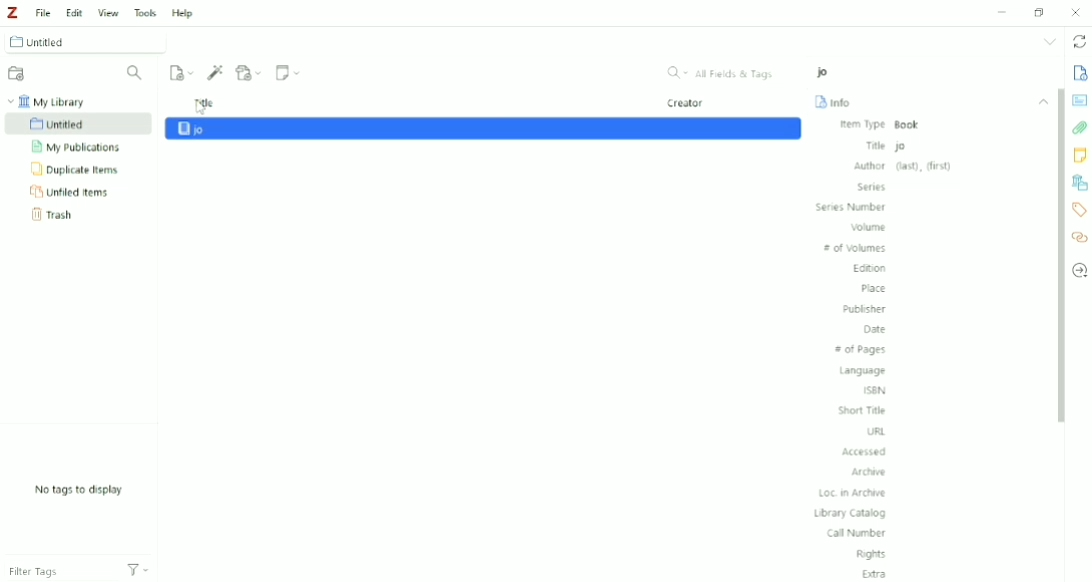 The image size is (1092, 582). What do you see at coordinates (1080, 73) in the screenshot?
I see `Info` at bounding box center [1080, 73].